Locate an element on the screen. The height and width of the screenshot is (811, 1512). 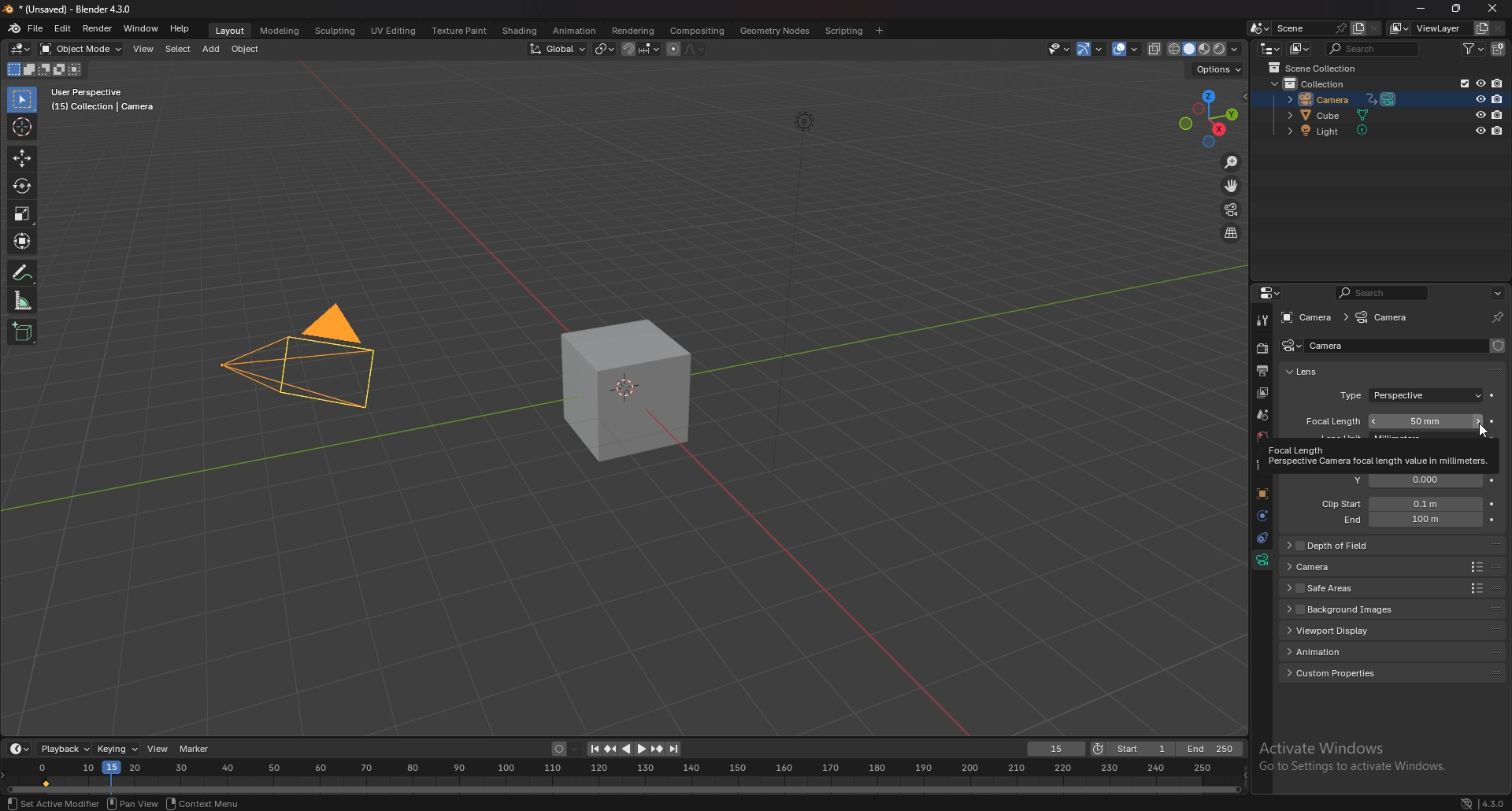
minimize is located at coordinates (1423, 9).